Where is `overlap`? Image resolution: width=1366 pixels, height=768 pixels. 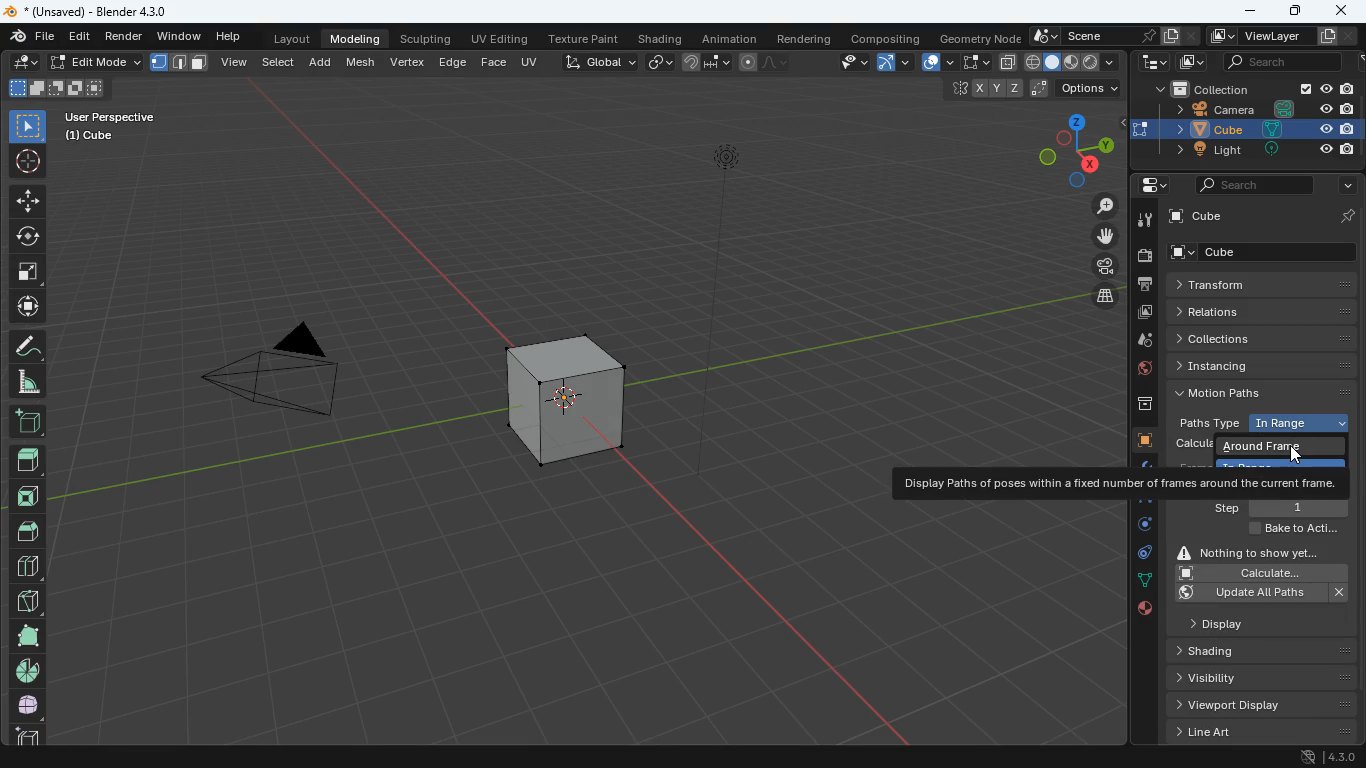 overlap is located at coordinates (937, 63).